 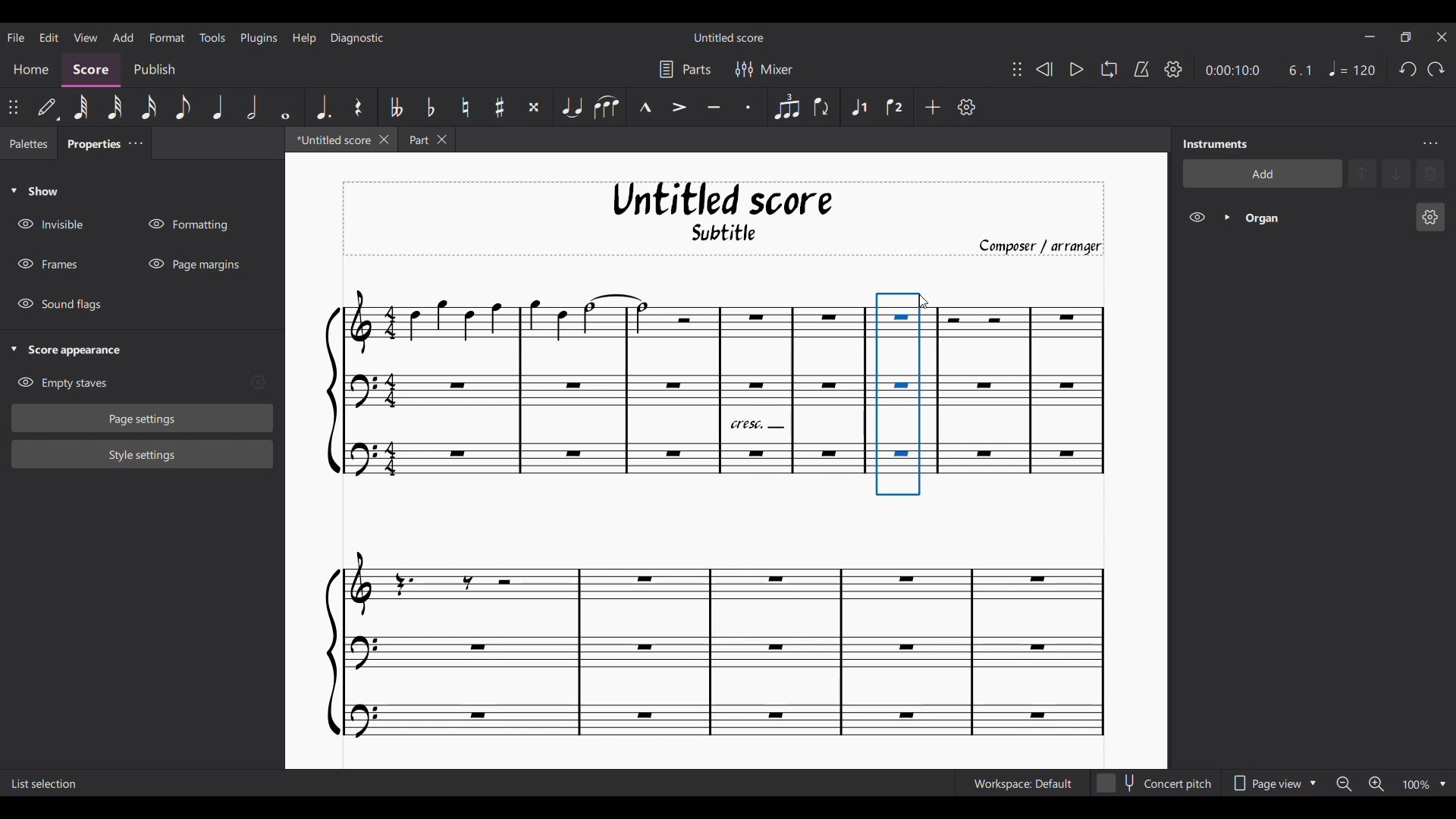 I want to click on Hide Frames, so click(x=48, y=264).